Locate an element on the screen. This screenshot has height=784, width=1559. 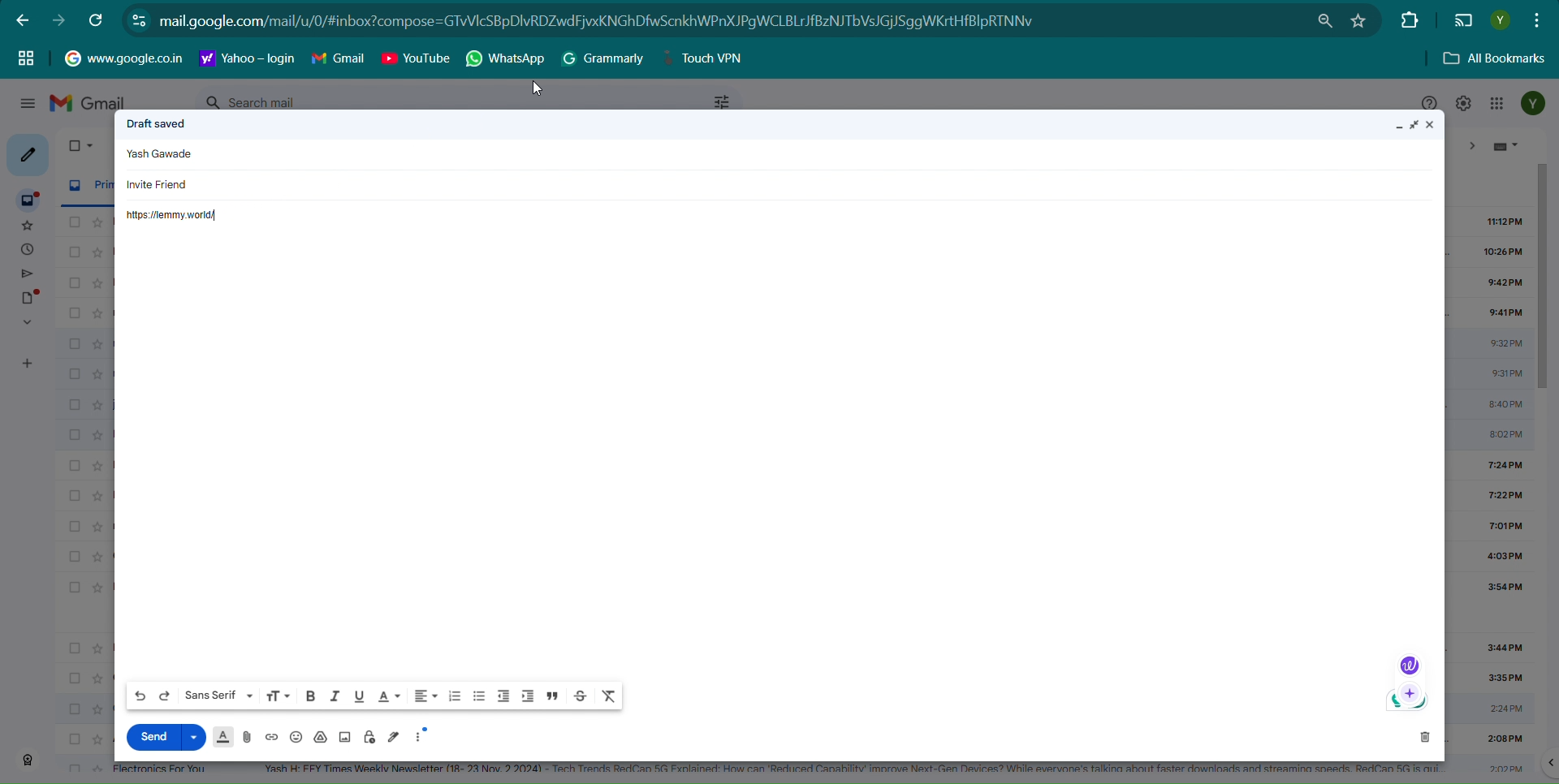
view site information is located at coordinates (139, 19).